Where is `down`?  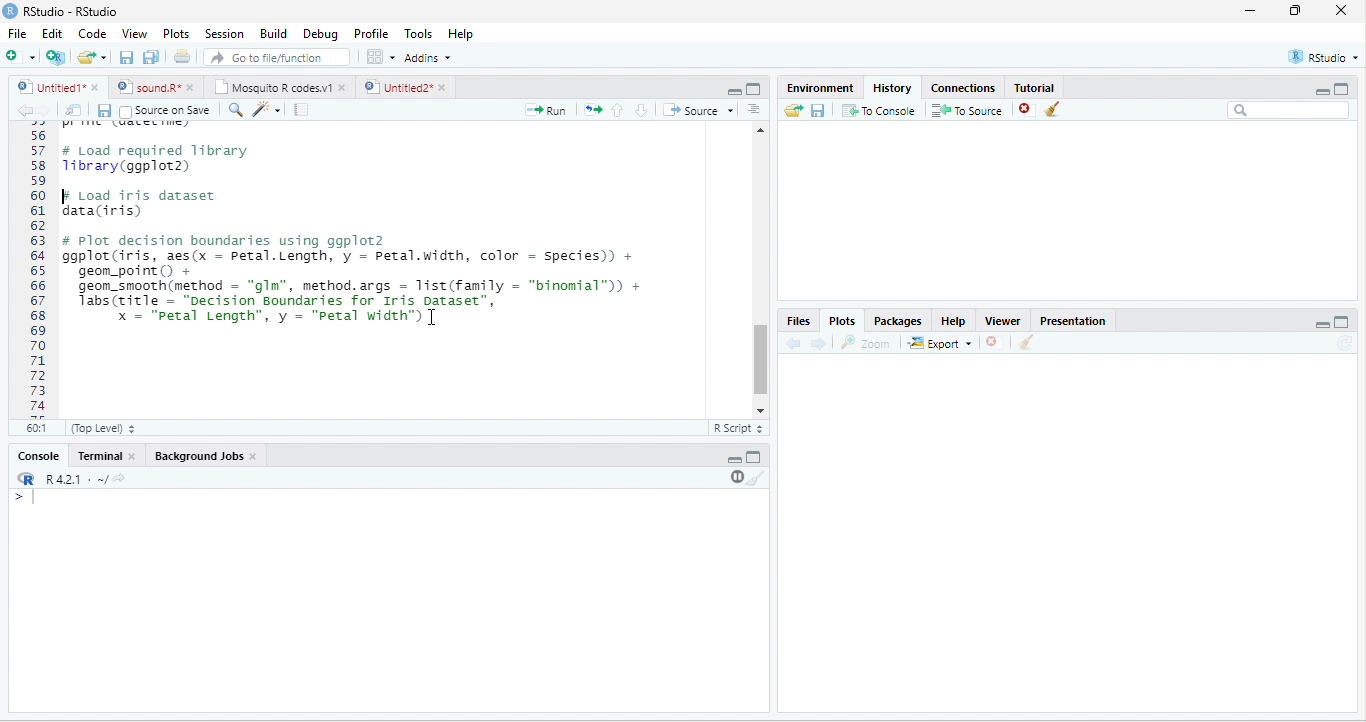 down is located at coordinates (641, 110).